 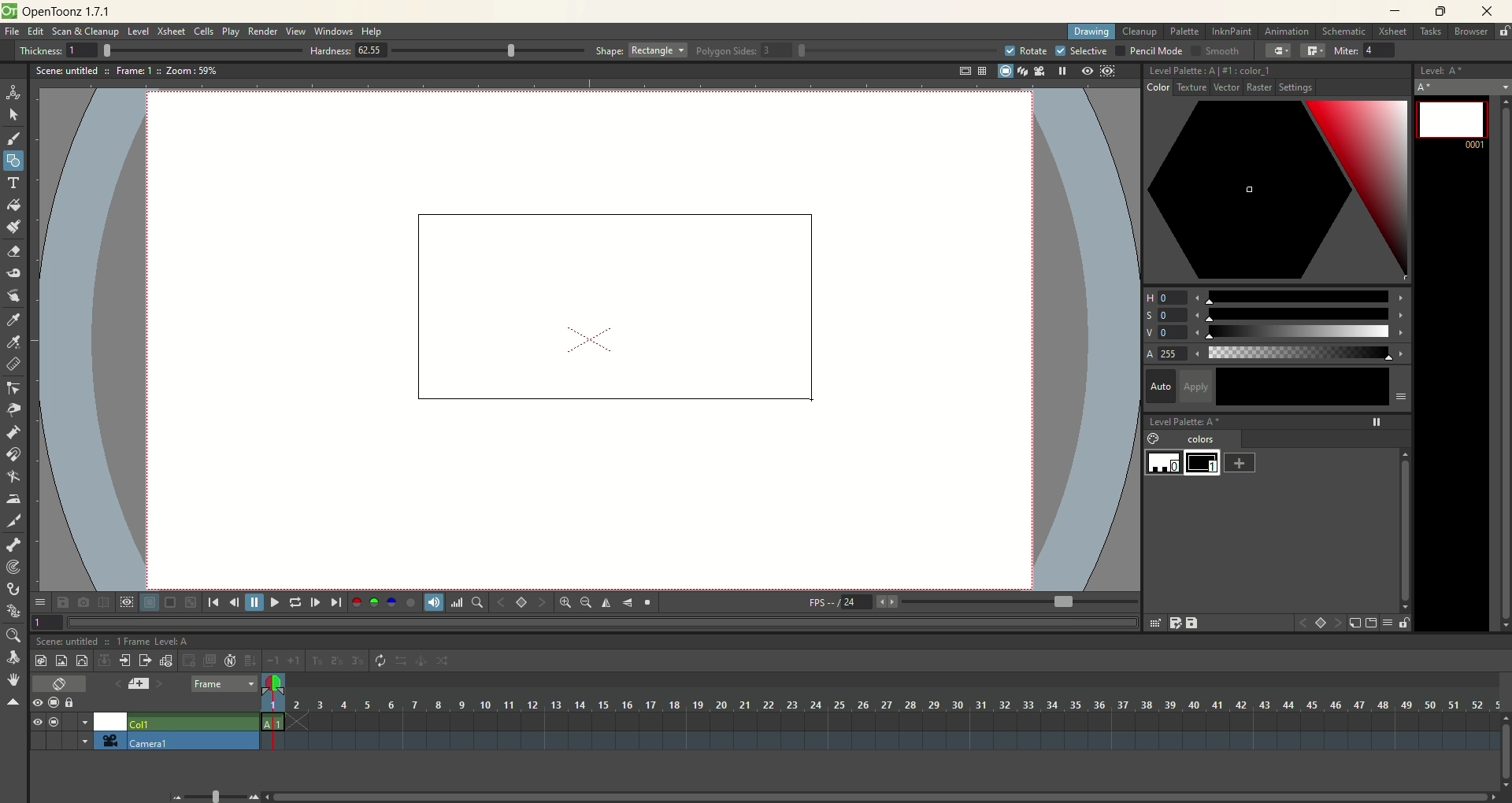 What do you see at coordinates (149, 603) in the screenshot?
I see `white background` at bounding box center [149, 603].